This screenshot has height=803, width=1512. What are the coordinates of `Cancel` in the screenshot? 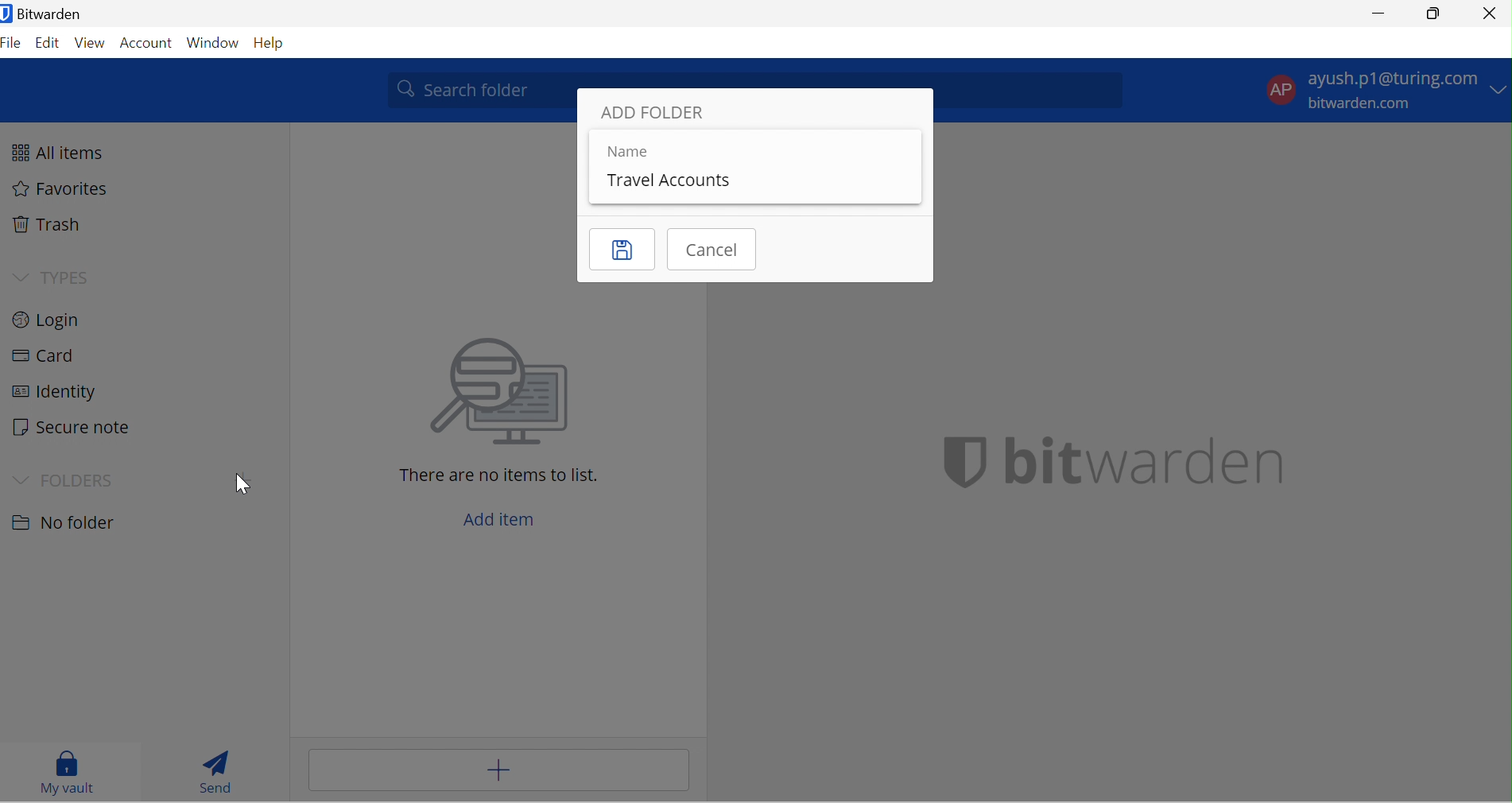 It's located at (715, 250).